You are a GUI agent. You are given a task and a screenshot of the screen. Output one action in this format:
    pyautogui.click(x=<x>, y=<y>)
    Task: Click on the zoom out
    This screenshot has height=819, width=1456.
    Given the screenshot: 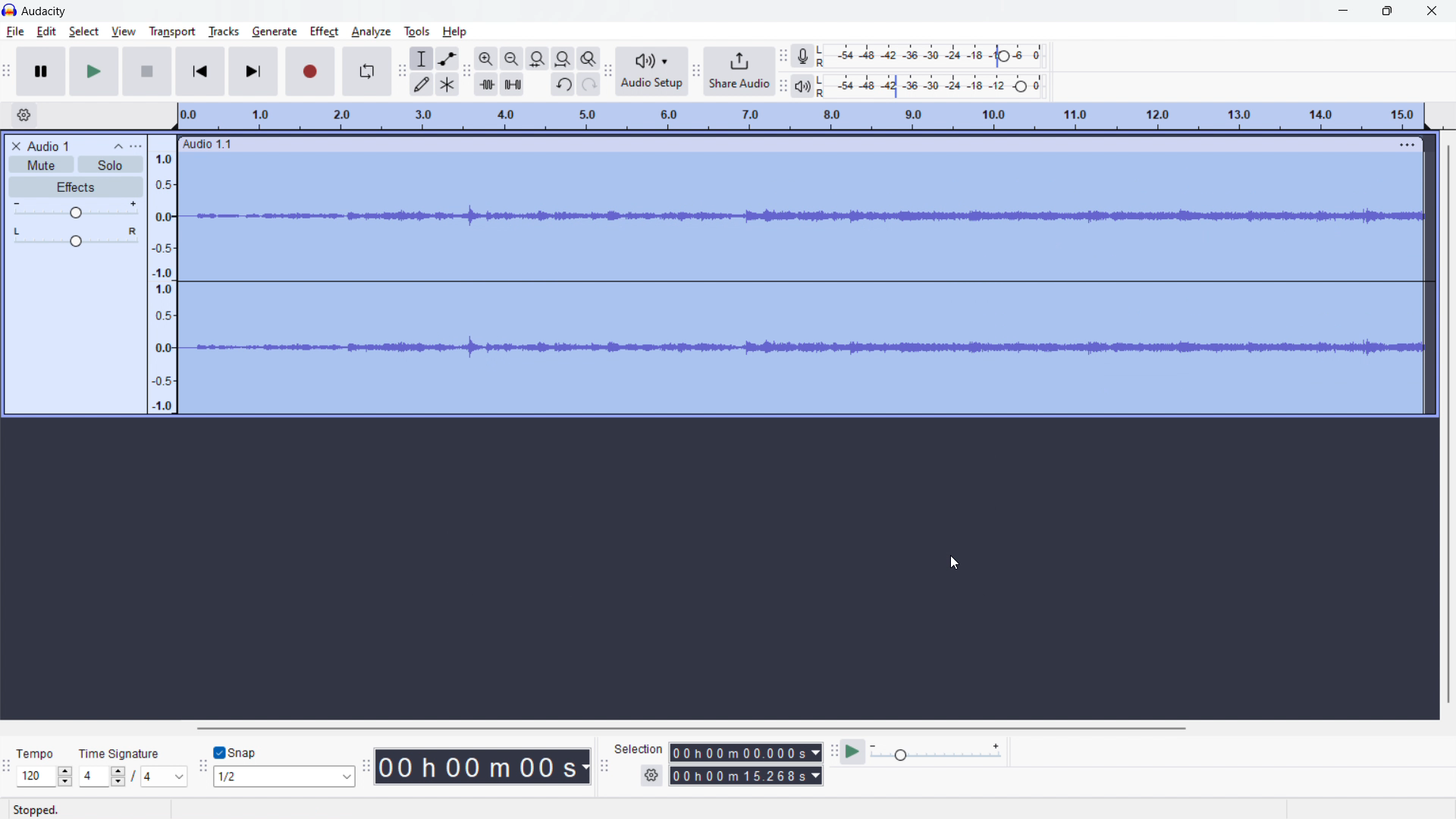 What is the action you would take?
    pyautogui.click(x=512, y=58)
    